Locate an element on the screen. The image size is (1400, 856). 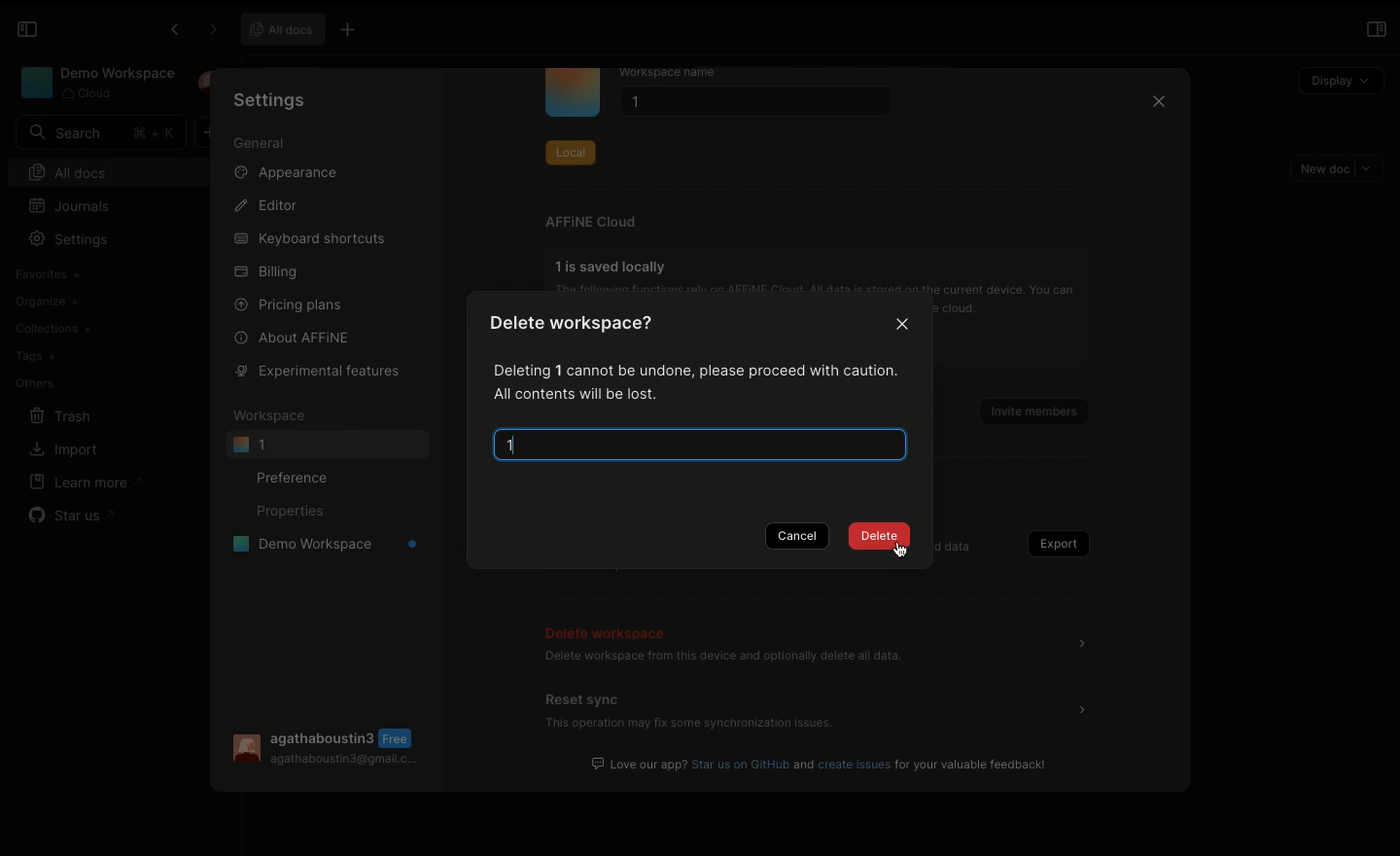
Accordion is located at coordinates (1088, 646).